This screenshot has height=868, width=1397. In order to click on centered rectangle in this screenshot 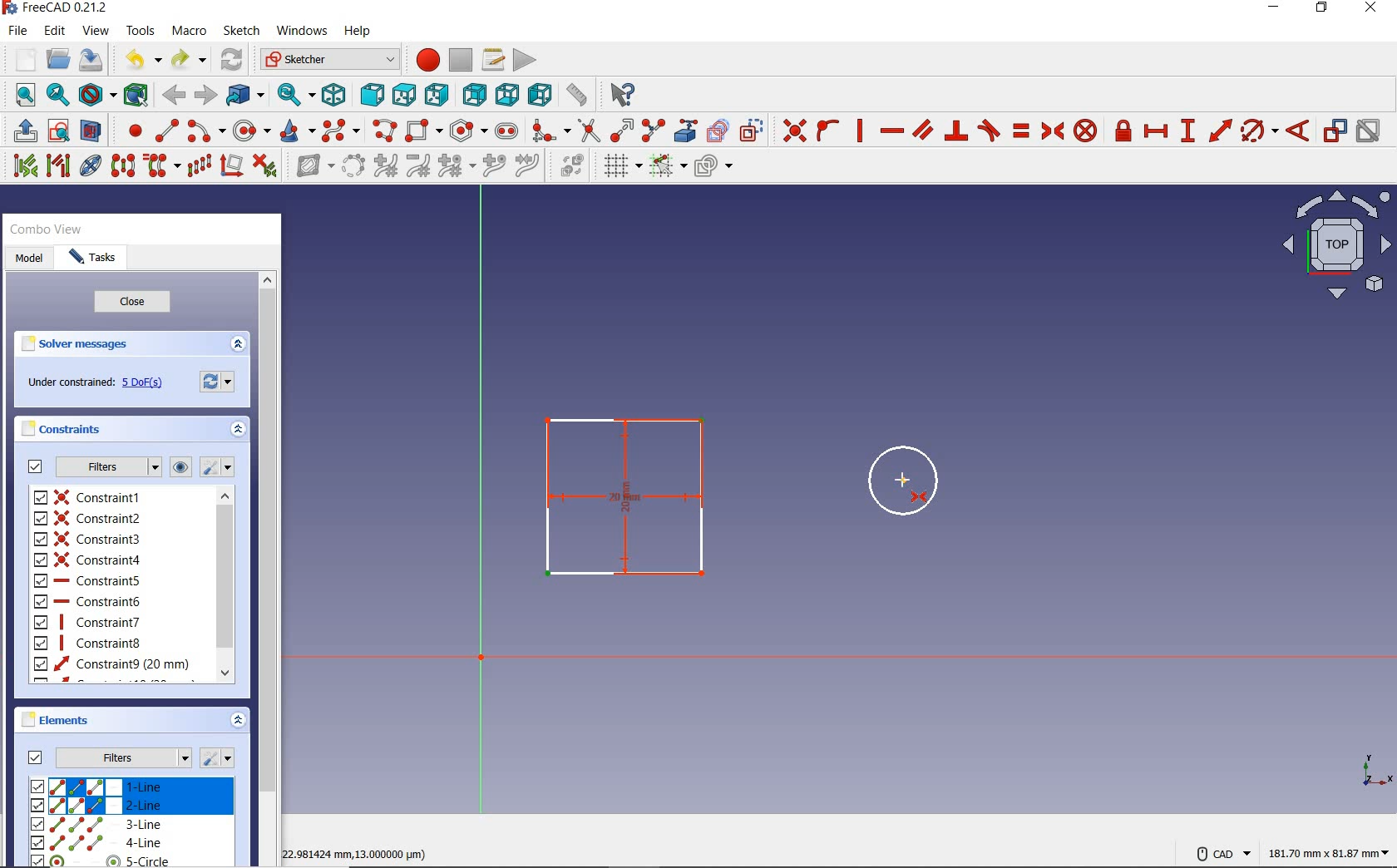, I will do `click(624, 498)`.